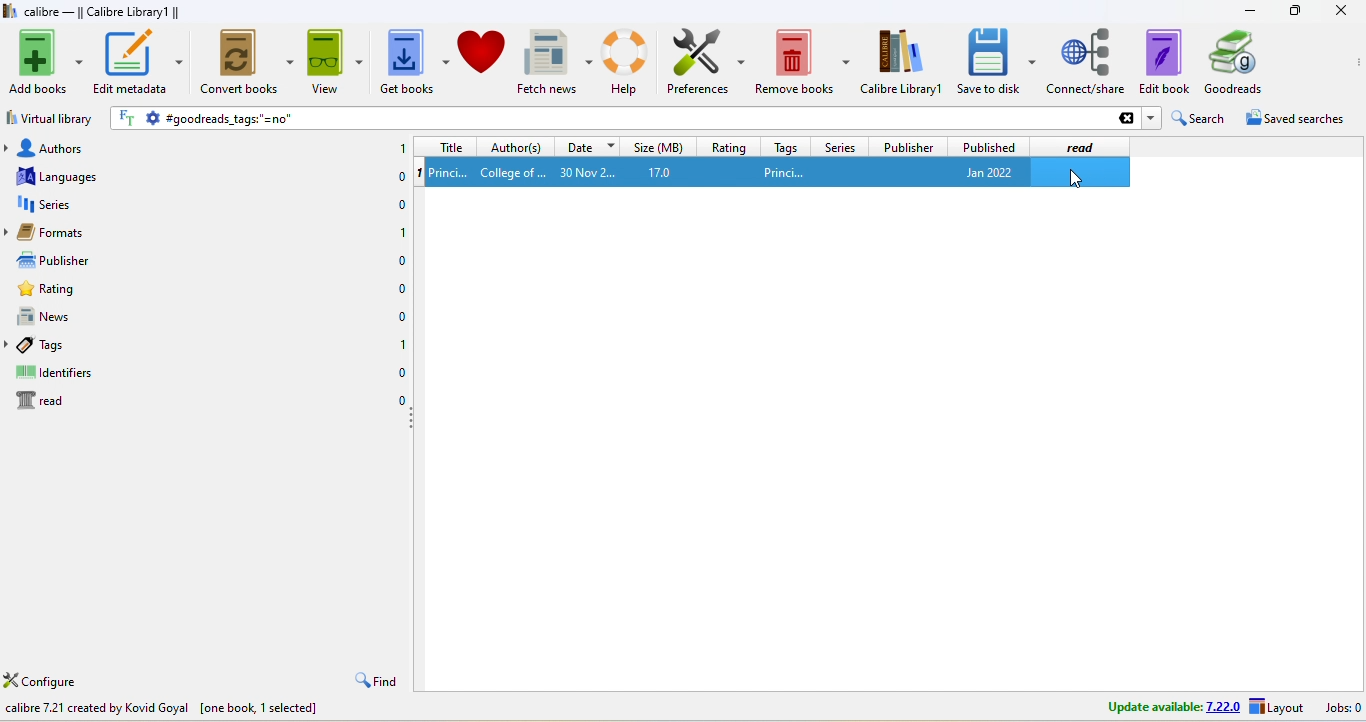  Describe the element at coordinates (44, 401) in the screenshot. I see `read` at that location.